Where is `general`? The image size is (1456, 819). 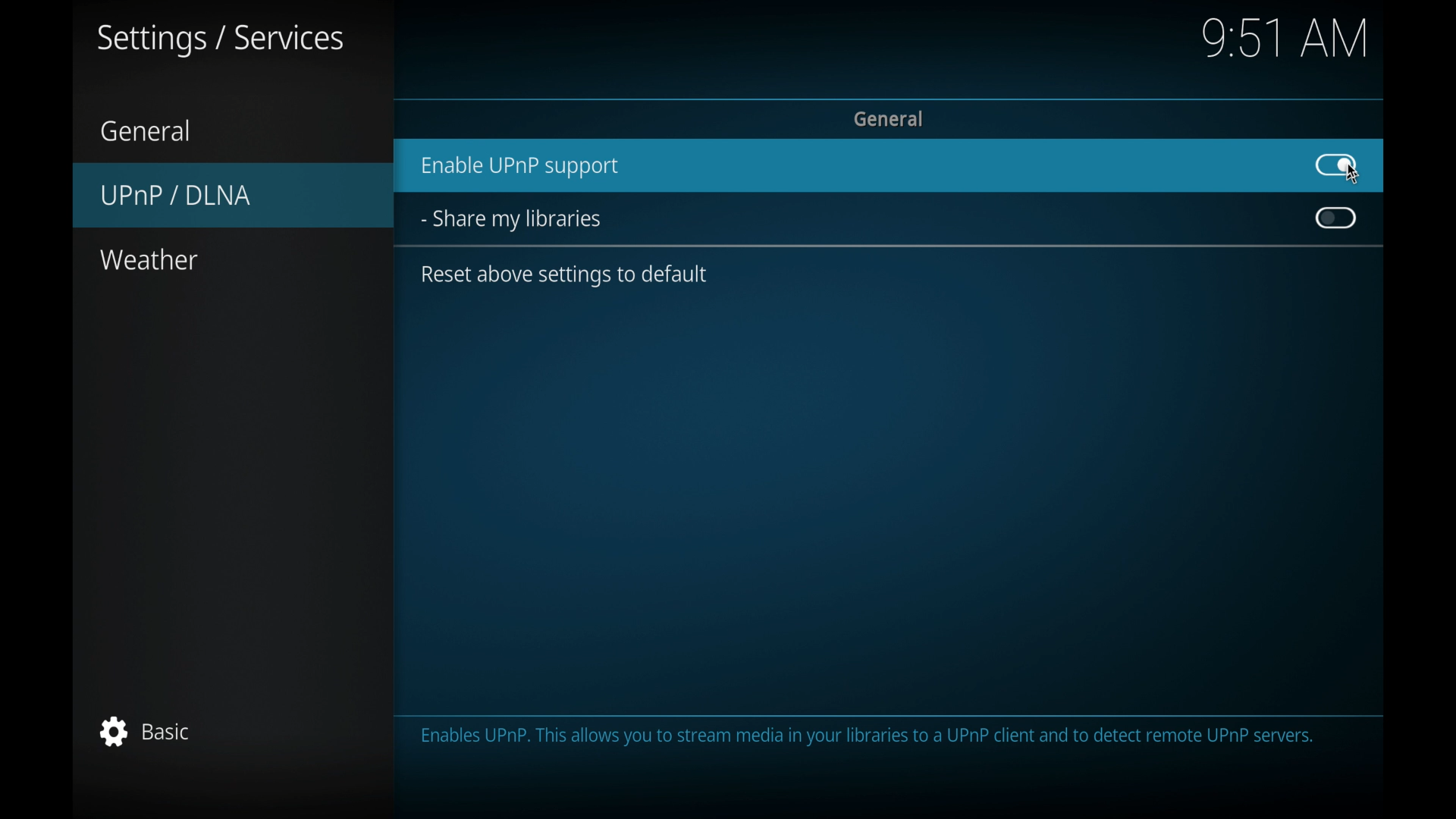
general is located at coordinates (889, 119).